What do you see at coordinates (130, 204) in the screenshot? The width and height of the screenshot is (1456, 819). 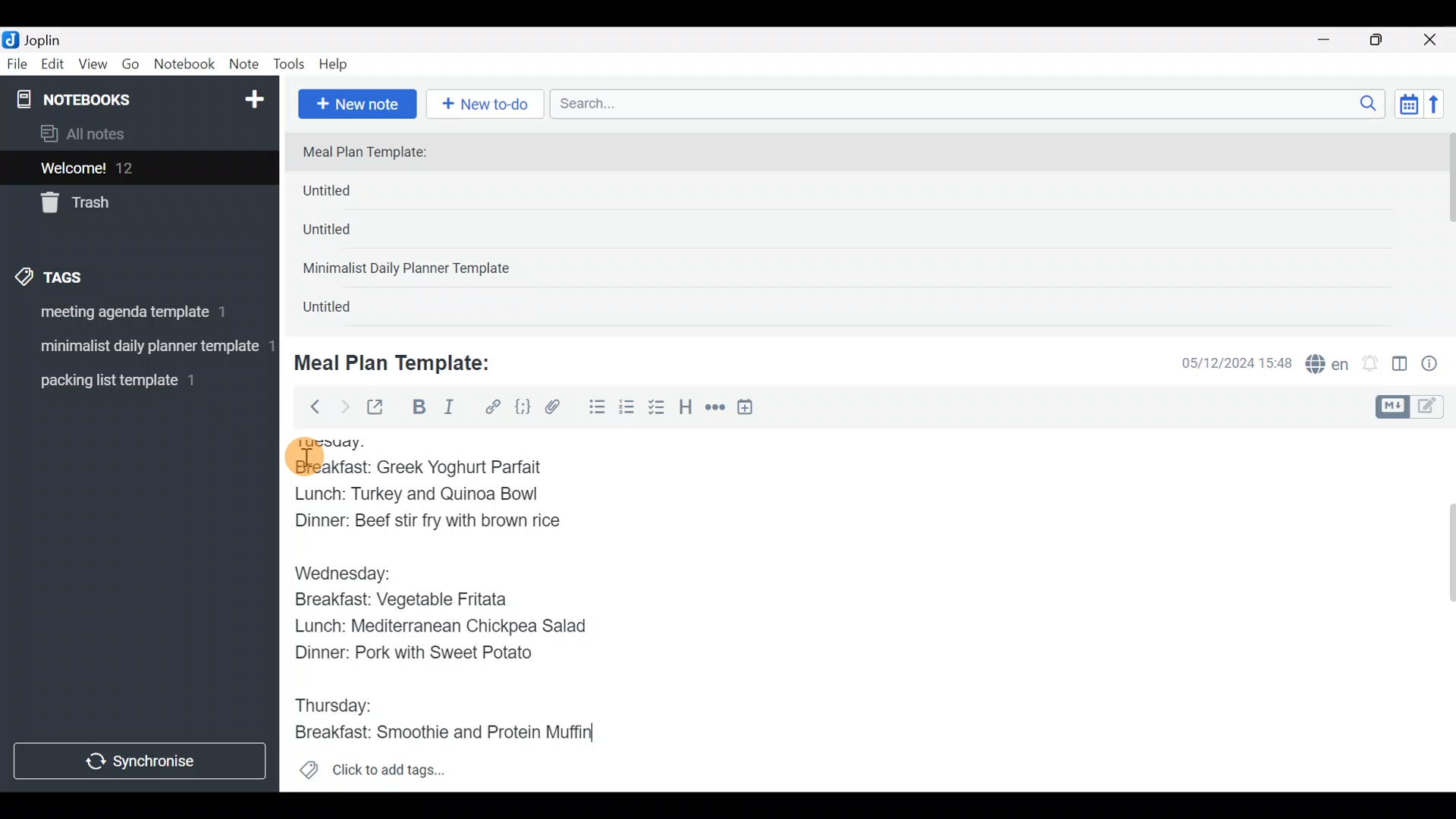 I see `Trash` at bounding box center [130, 204].